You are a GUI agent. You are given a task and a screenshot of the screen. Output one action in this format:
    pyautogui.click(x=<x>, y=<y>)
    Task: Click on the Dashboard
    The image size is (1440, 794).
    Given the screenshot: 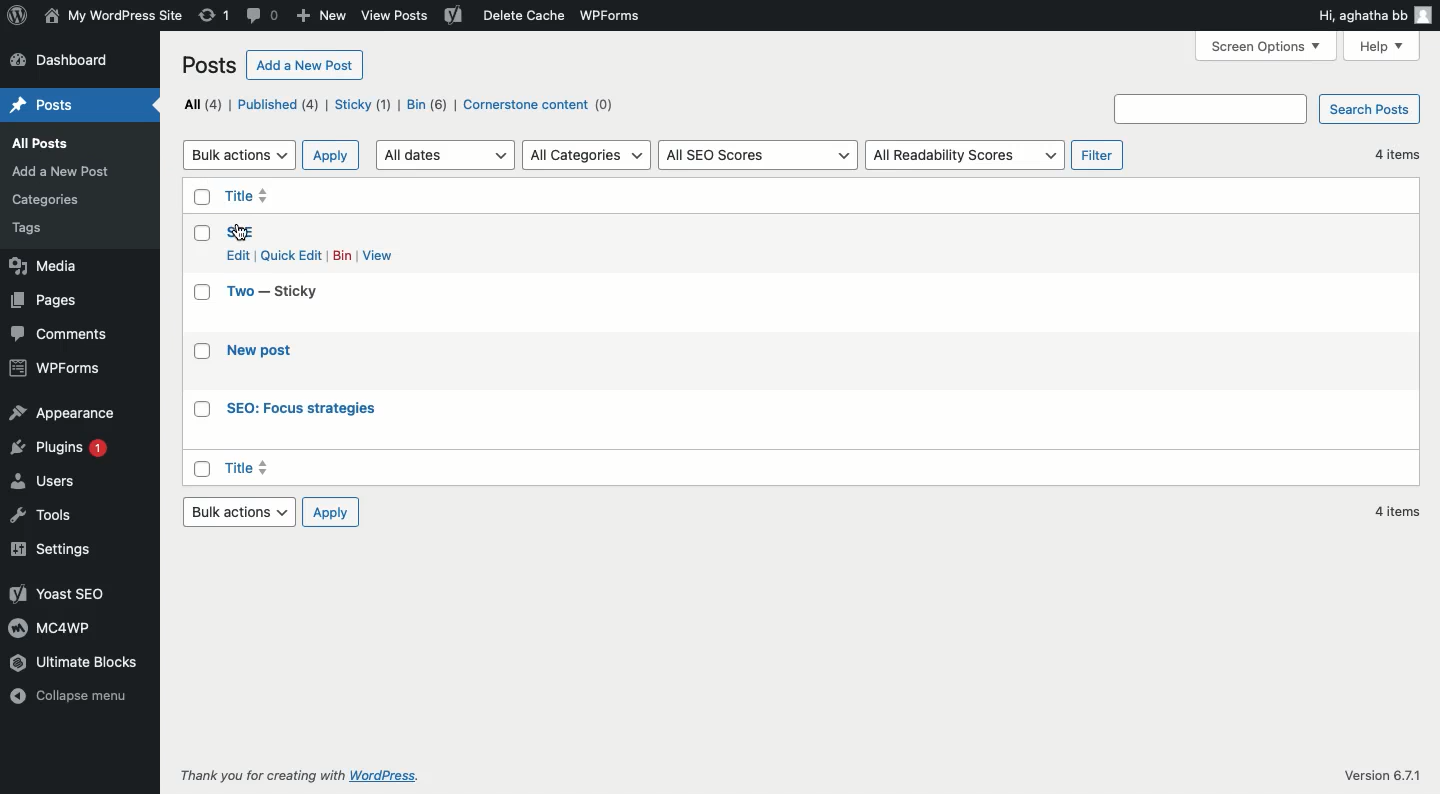 What is the action you would take?
    pyautogui.click(x=69, y=60)
    